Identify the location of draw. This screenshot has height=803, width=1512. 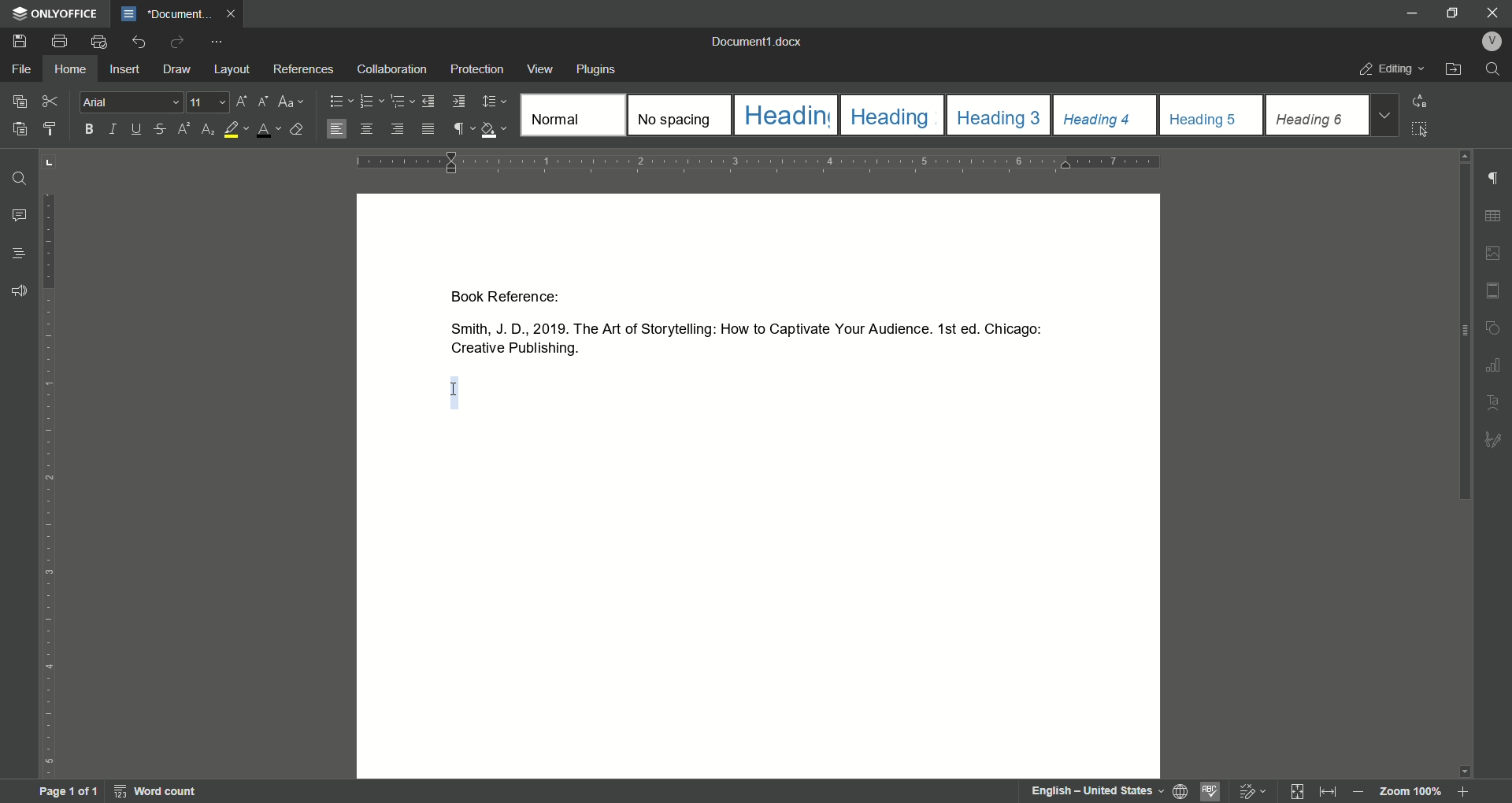
(178, 69).